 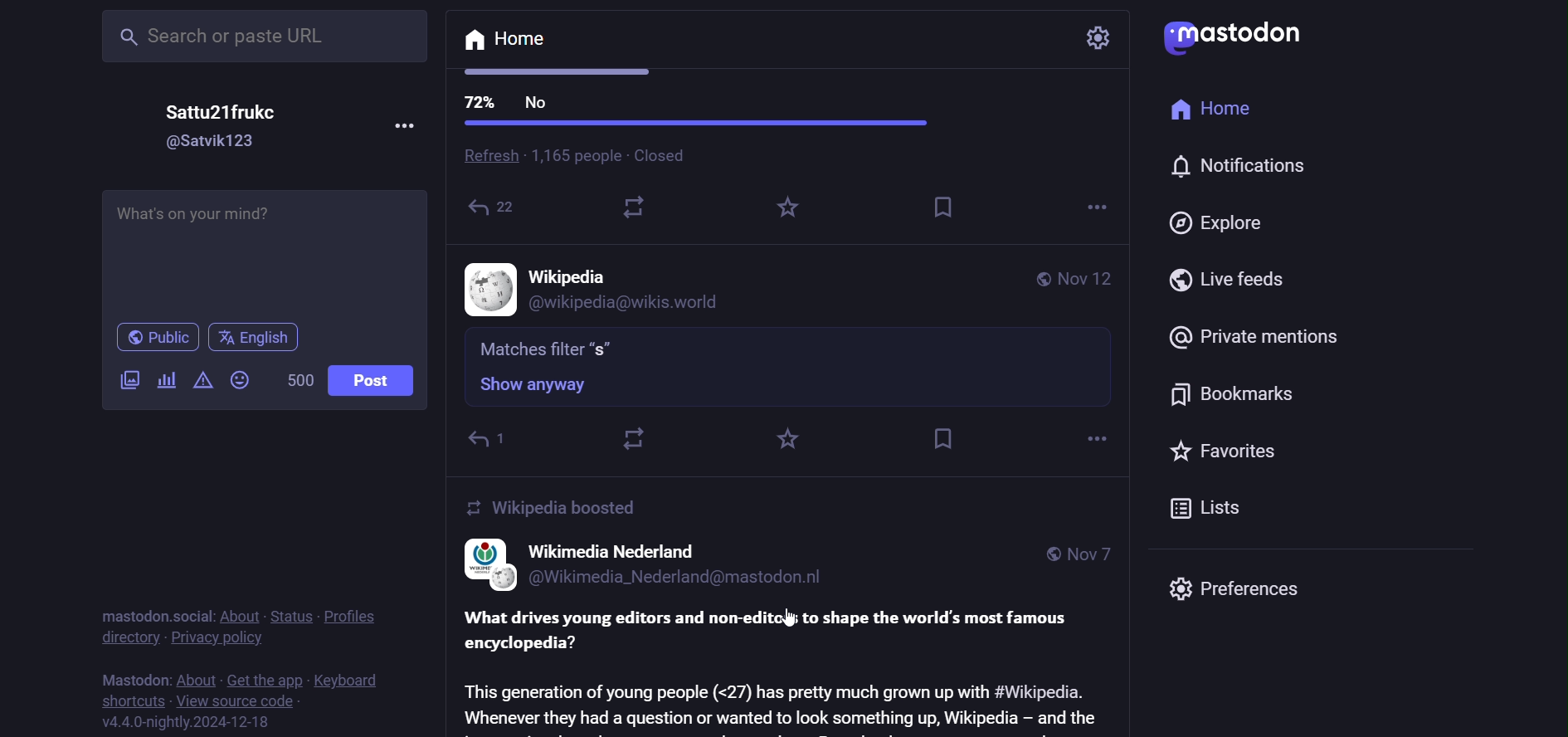 What do you see at coordinates (239, 381) in the screenshot?
I see `emoji` at bounding box center [239, 381].